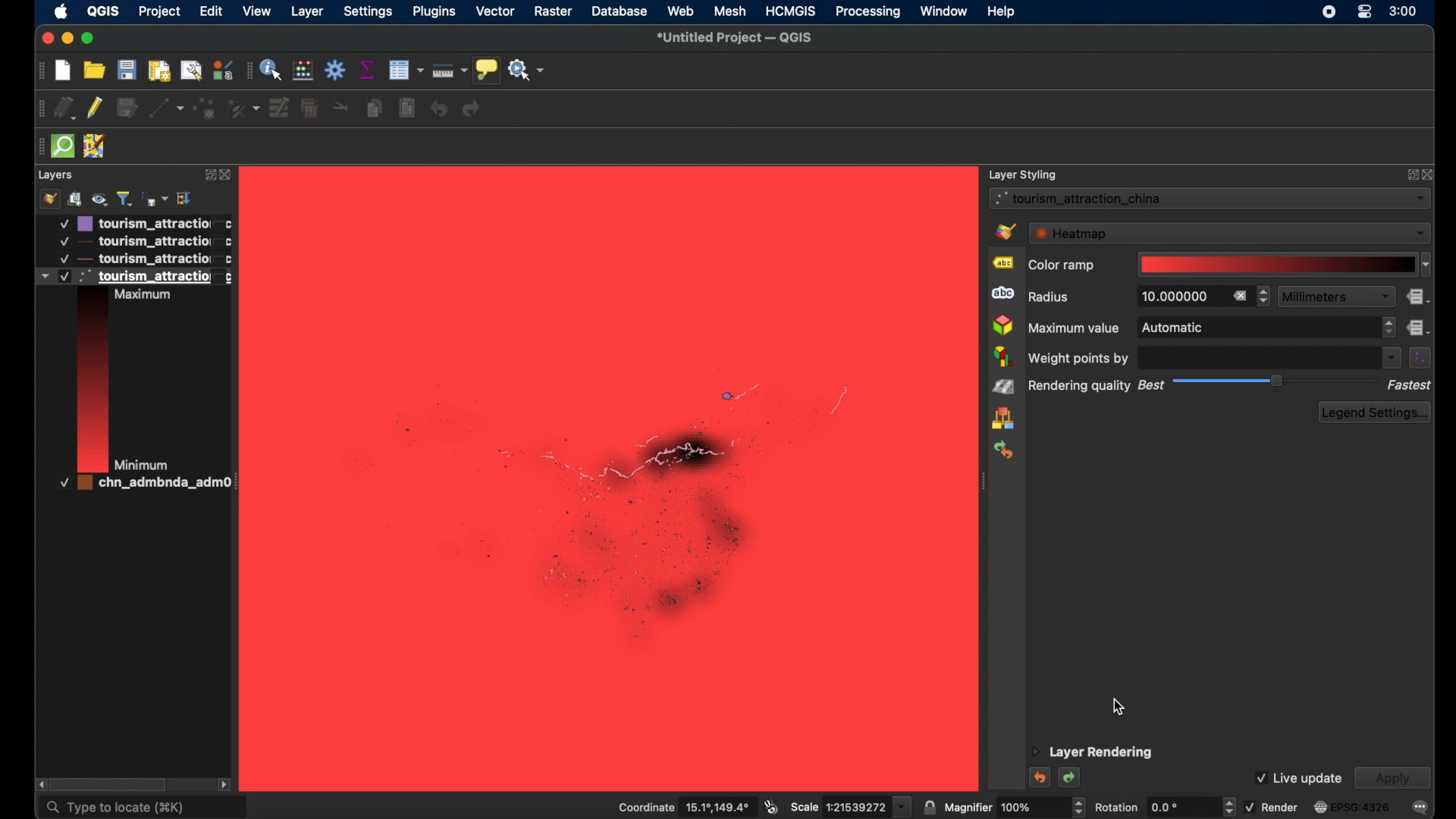 This screenshot has height=819, width=1456. What do you see at coordinates (95, 70) in the screenshot?
I see `open project` at bounding box center [95, 70].